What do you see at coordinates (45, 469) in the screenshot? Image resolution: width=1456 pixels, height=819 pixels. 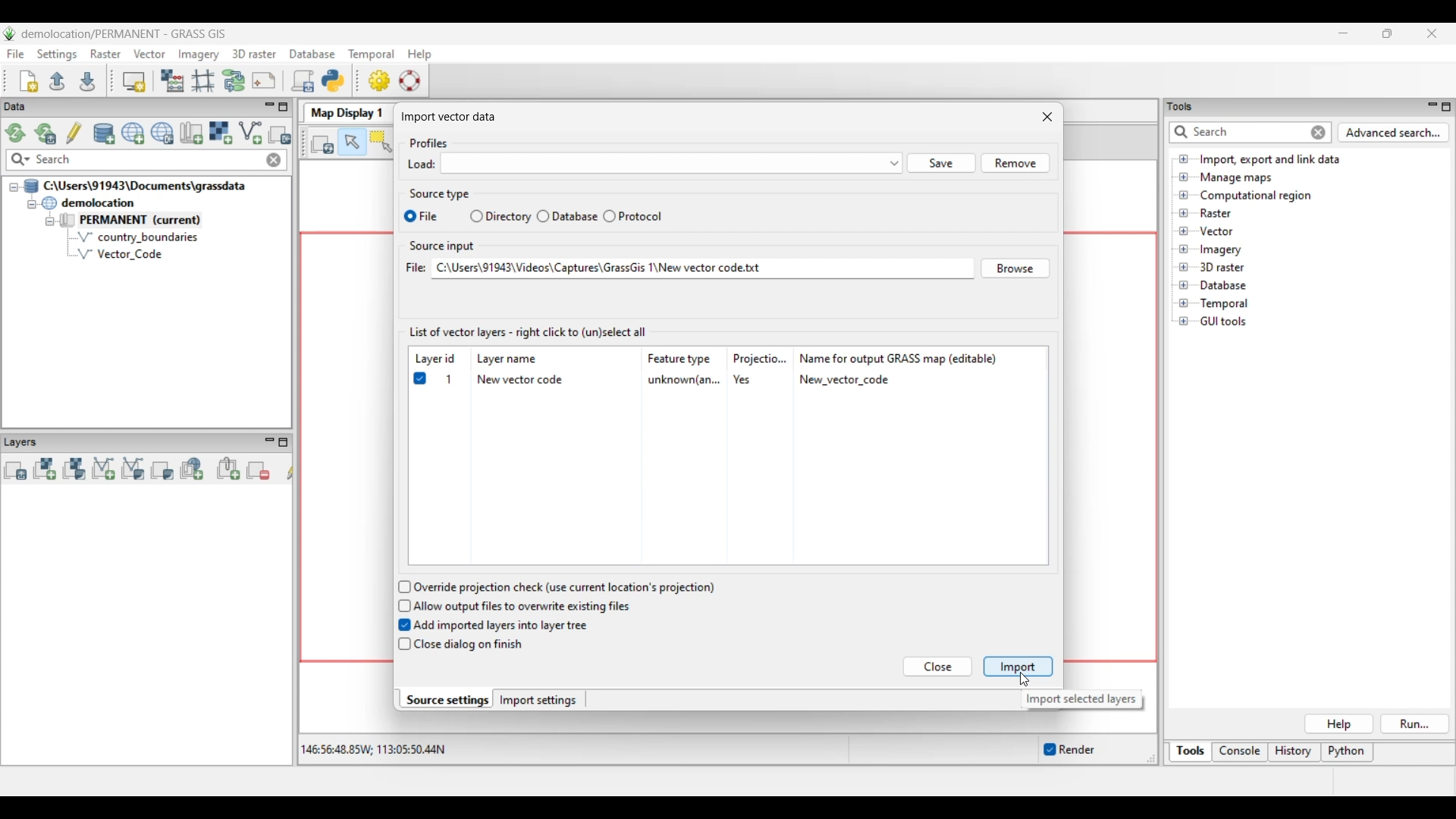 I see `Add raster map layer` at bounding box center [45, 469].